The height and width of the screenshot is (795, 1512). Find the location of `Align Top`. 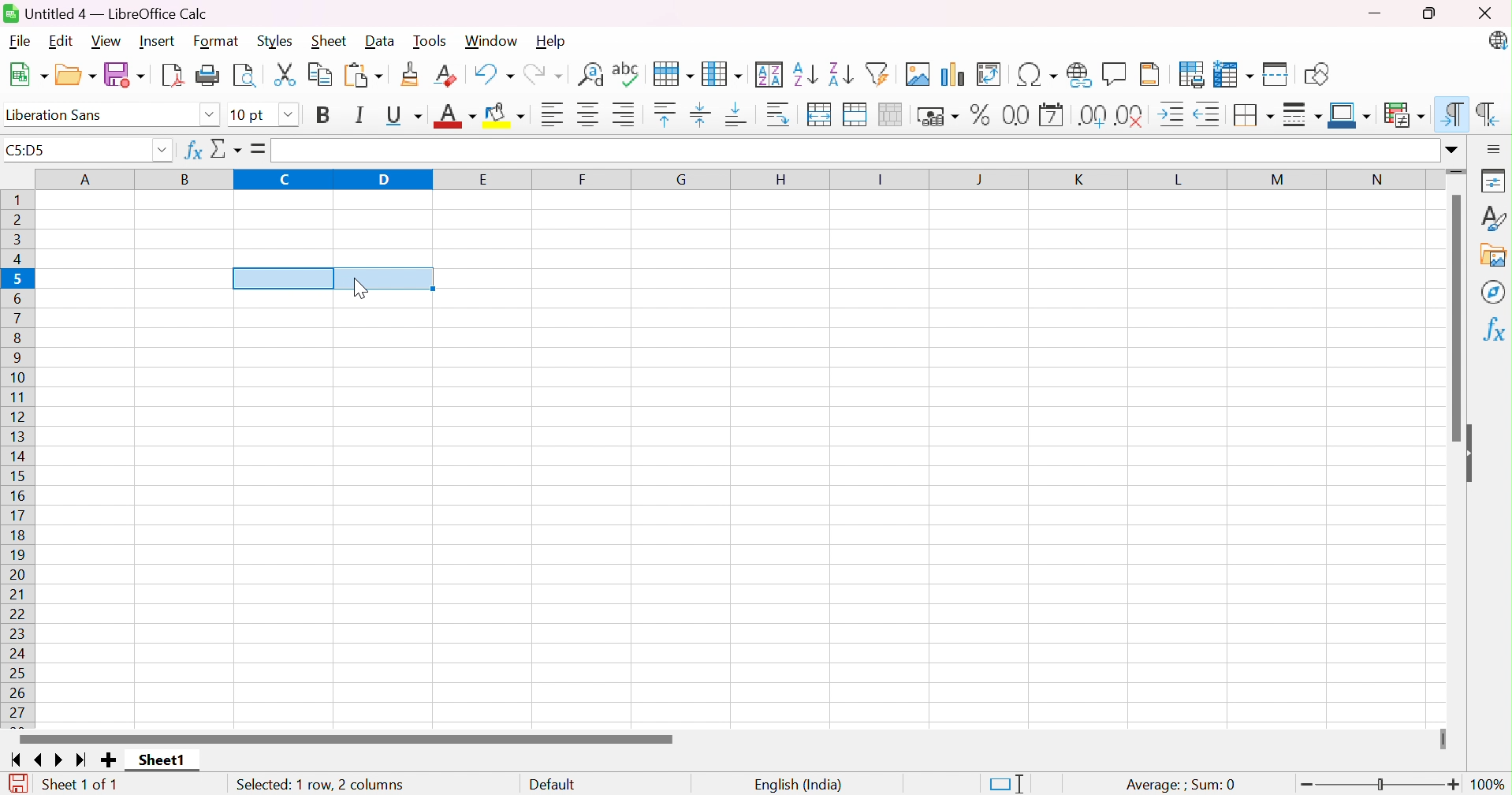

Align Top is located at coordinates (664, 114).